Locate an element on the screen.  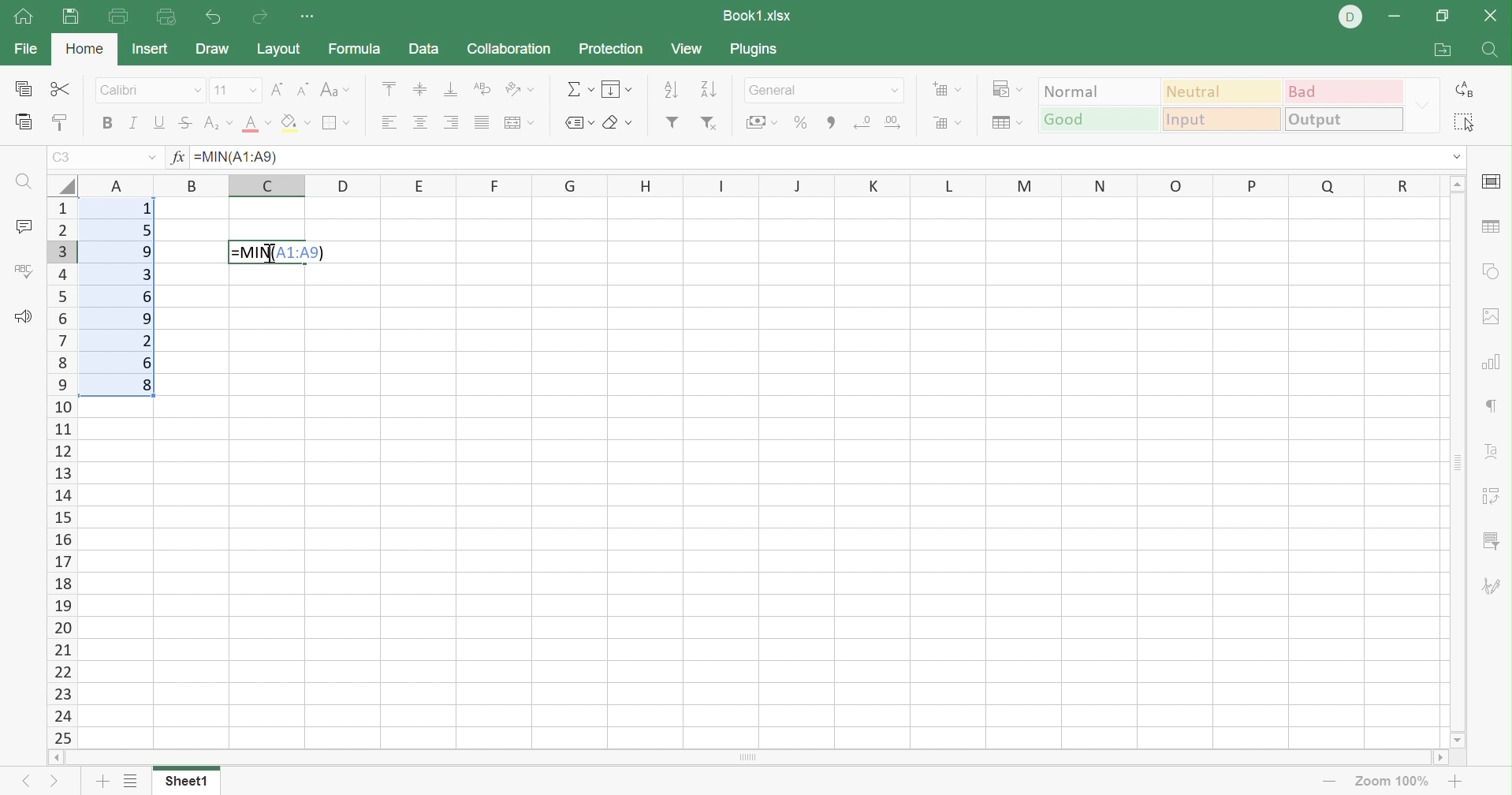
Insert is located at coordinates (150, 50).